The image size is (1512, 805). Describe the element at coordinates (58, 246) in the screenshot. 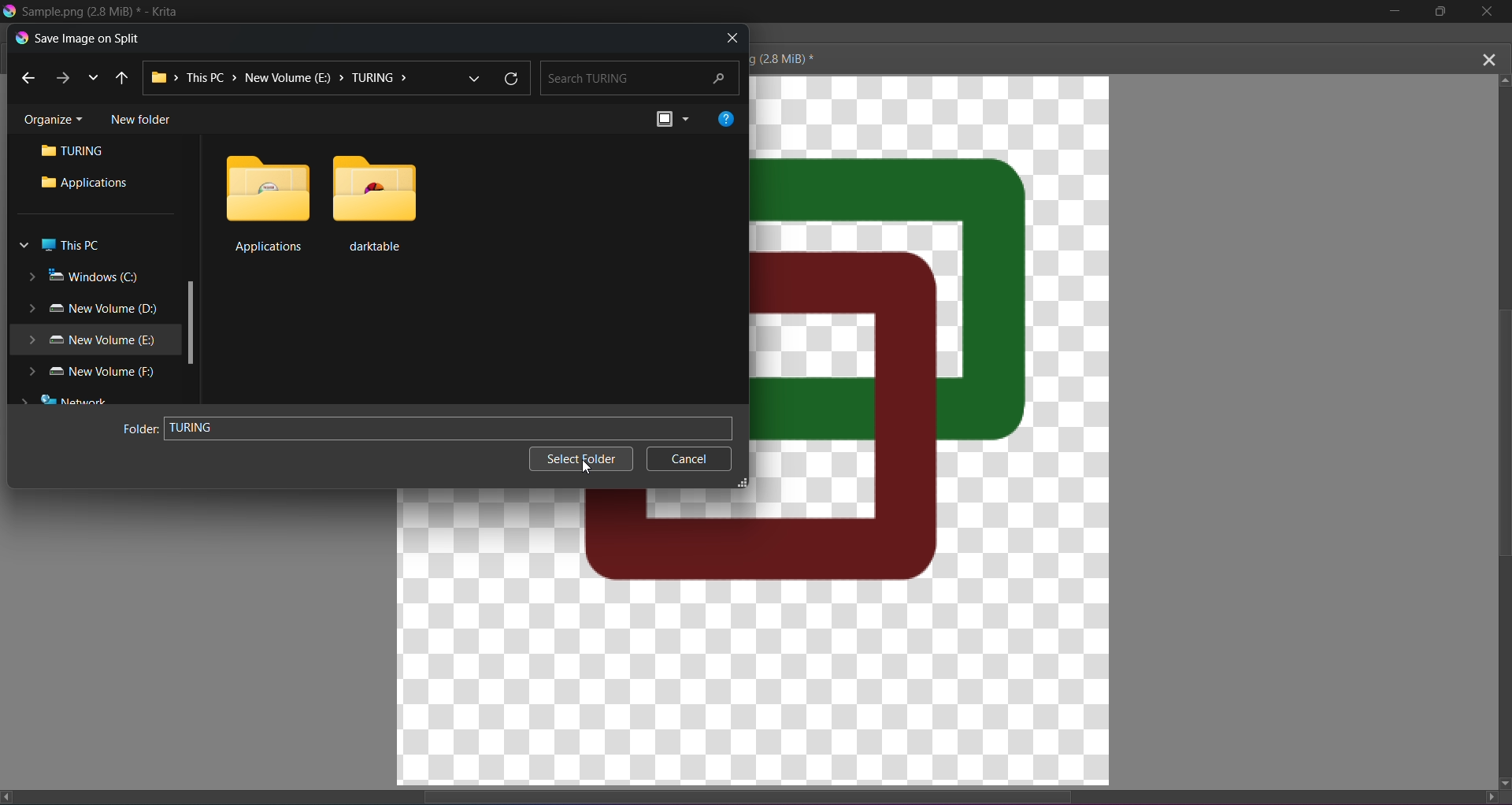

I see `This PC` at that location.